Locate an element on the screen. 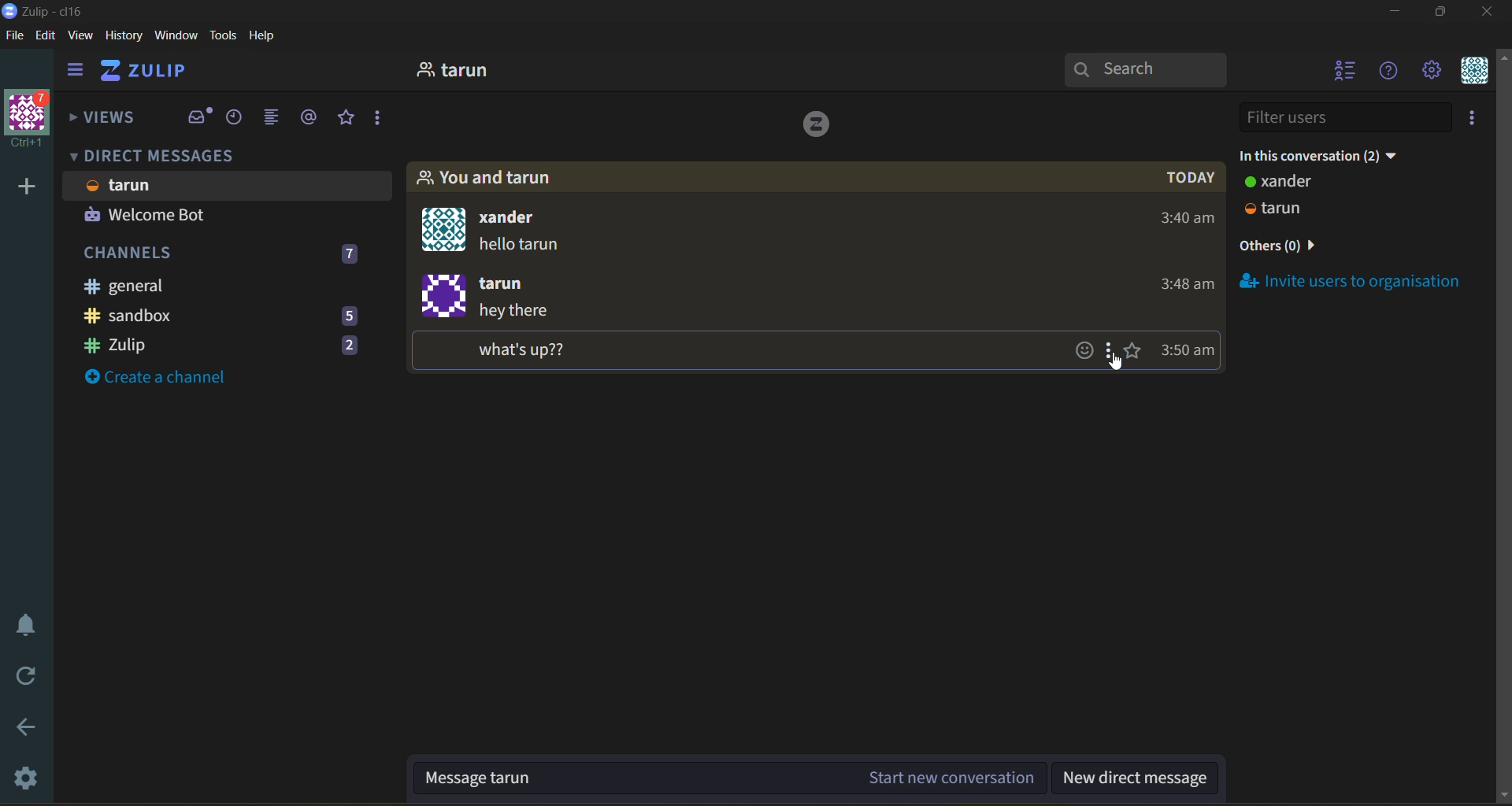 The width and height of the screenshot is (1512, 806). recent conversations is located at coordinates (234, 121).